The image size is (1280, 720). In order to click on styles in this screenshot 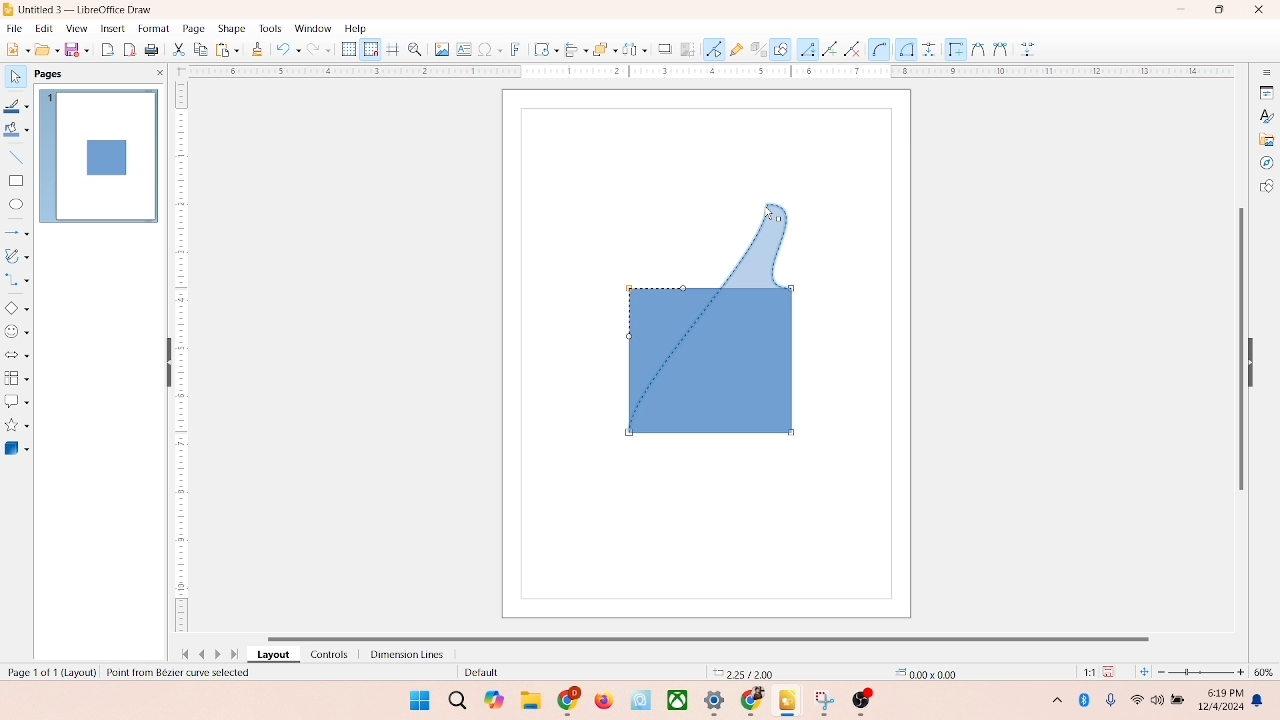, I will do `click(1265, 115)`.